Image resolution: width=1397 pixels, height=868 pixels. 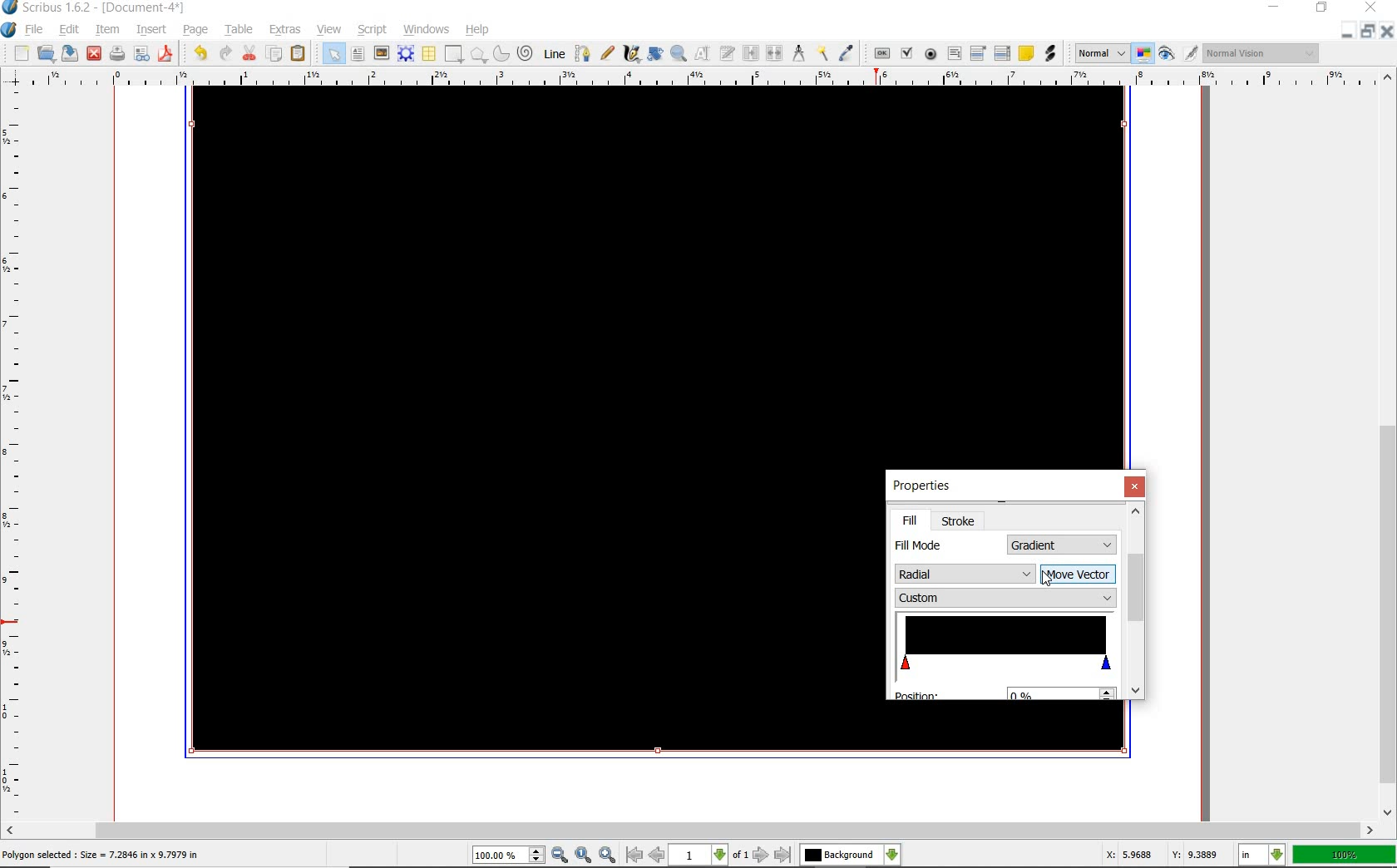 What do you see at coordinates (227, 53) in the screenshot?
I see `redo` at bounding box center [227, 53].